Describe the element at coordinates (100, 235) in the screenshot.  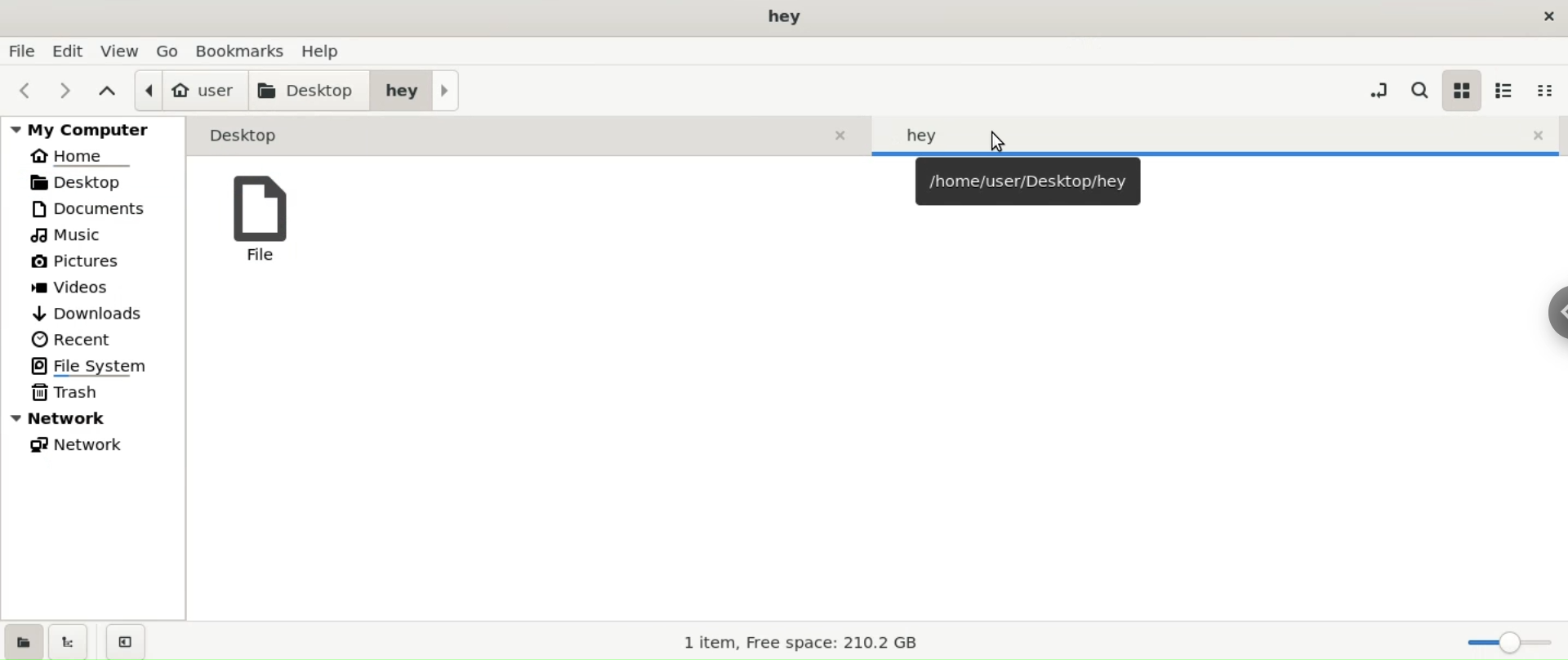
I see `music` at that location.